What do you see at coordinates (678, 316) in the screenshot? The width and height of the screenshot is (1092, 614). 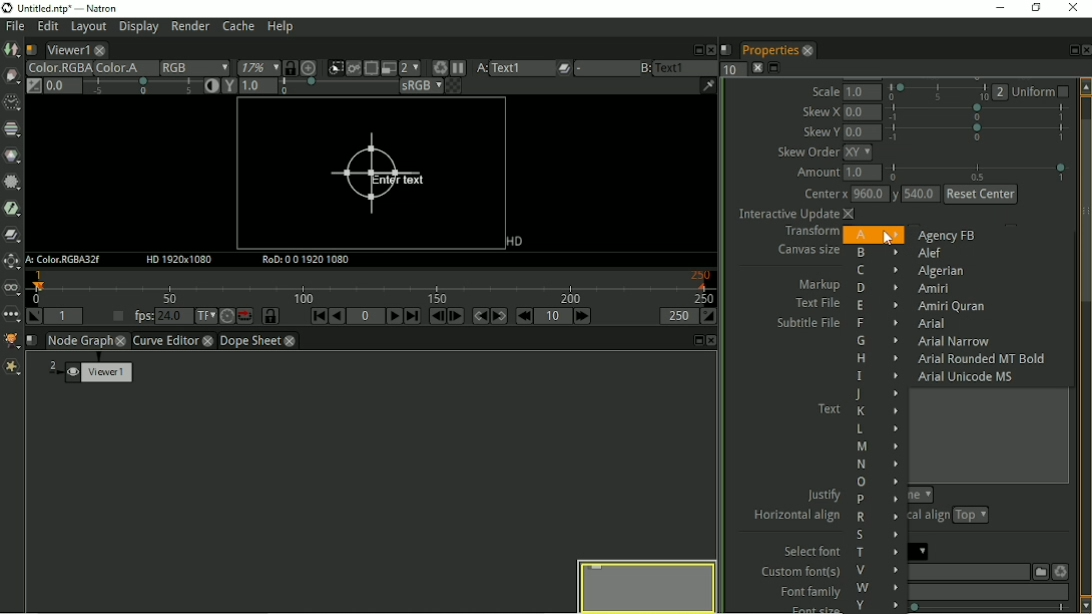 I see `The playback out point` at bounding box center [678, 316].